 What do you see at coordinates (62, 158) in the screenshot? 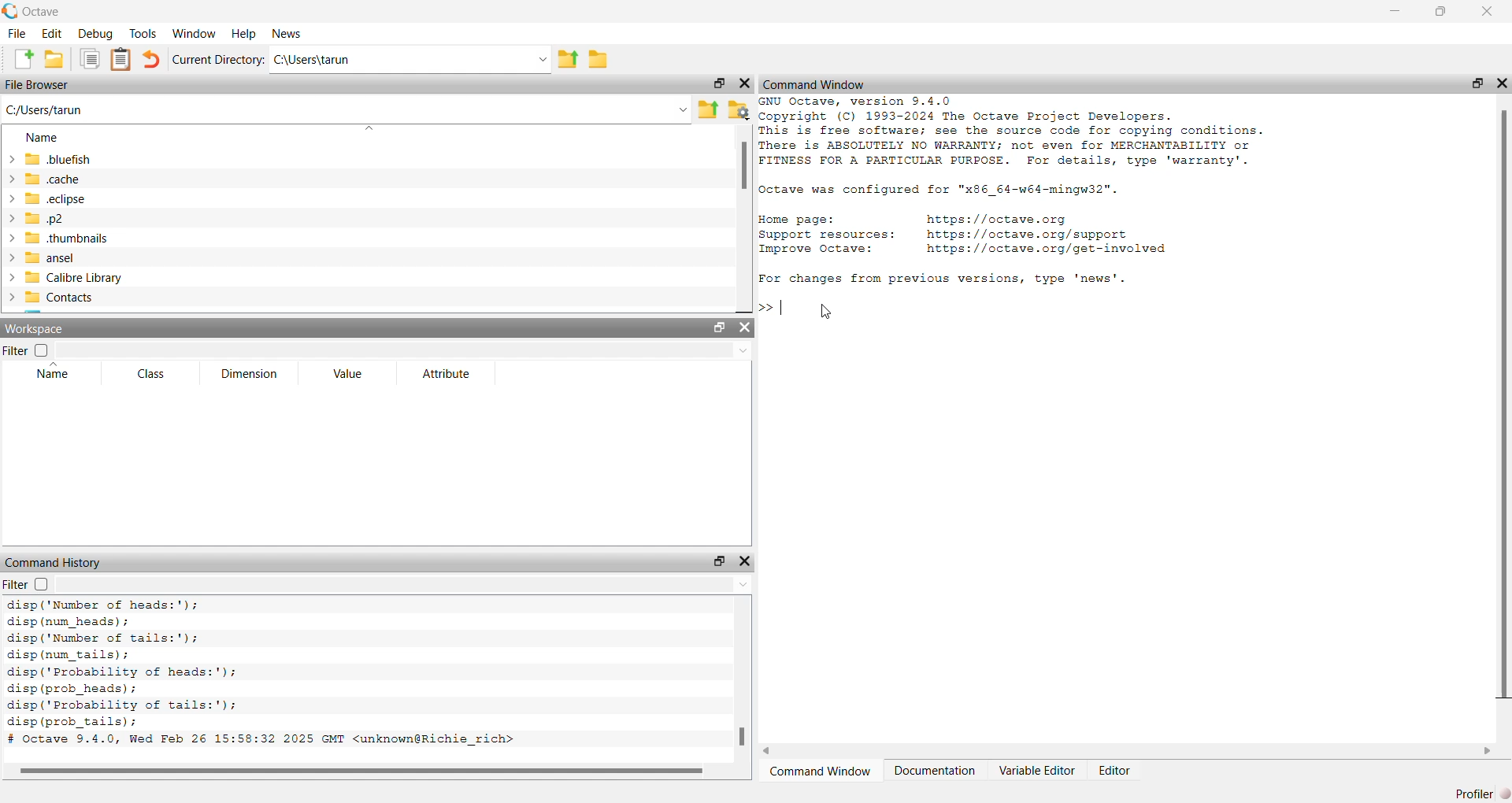
I see `.bluefish` at bounding box center [62, 158].